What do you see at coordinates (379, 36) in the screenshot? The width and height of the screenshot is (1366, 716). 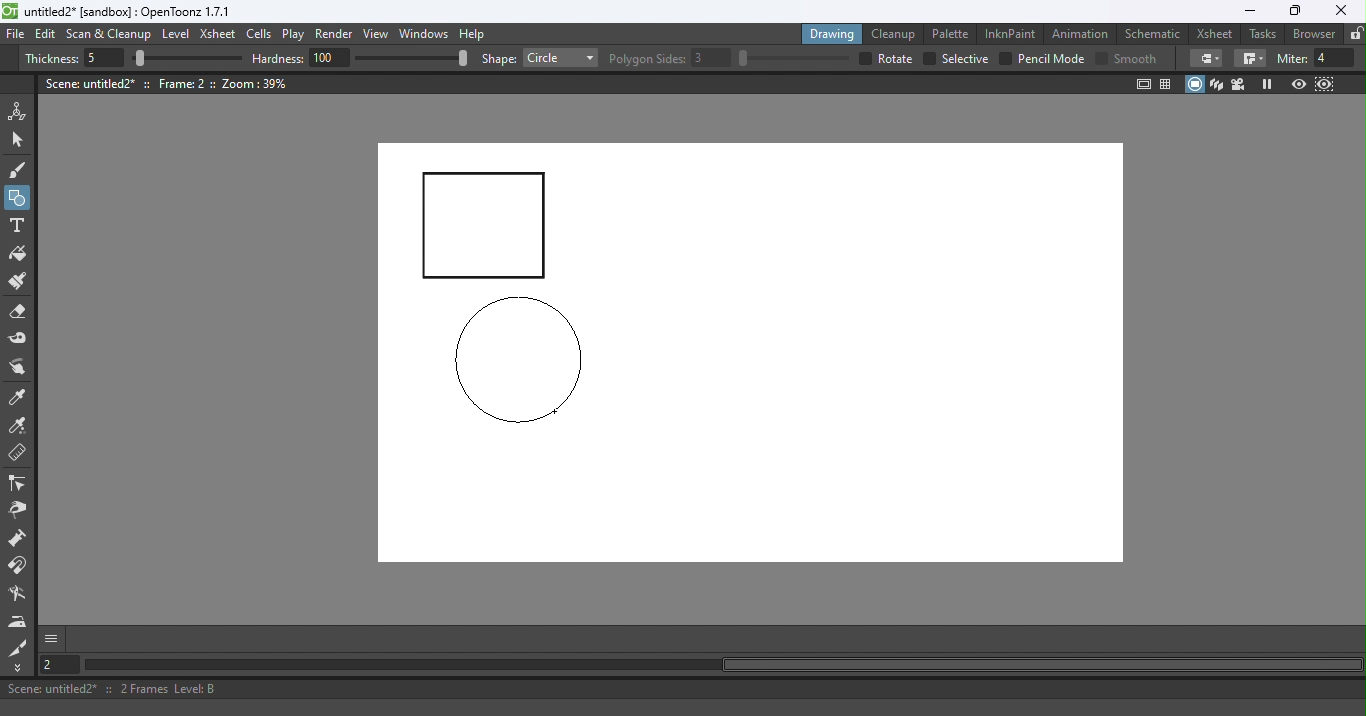 I see `View` at bounding box center [379, 36].